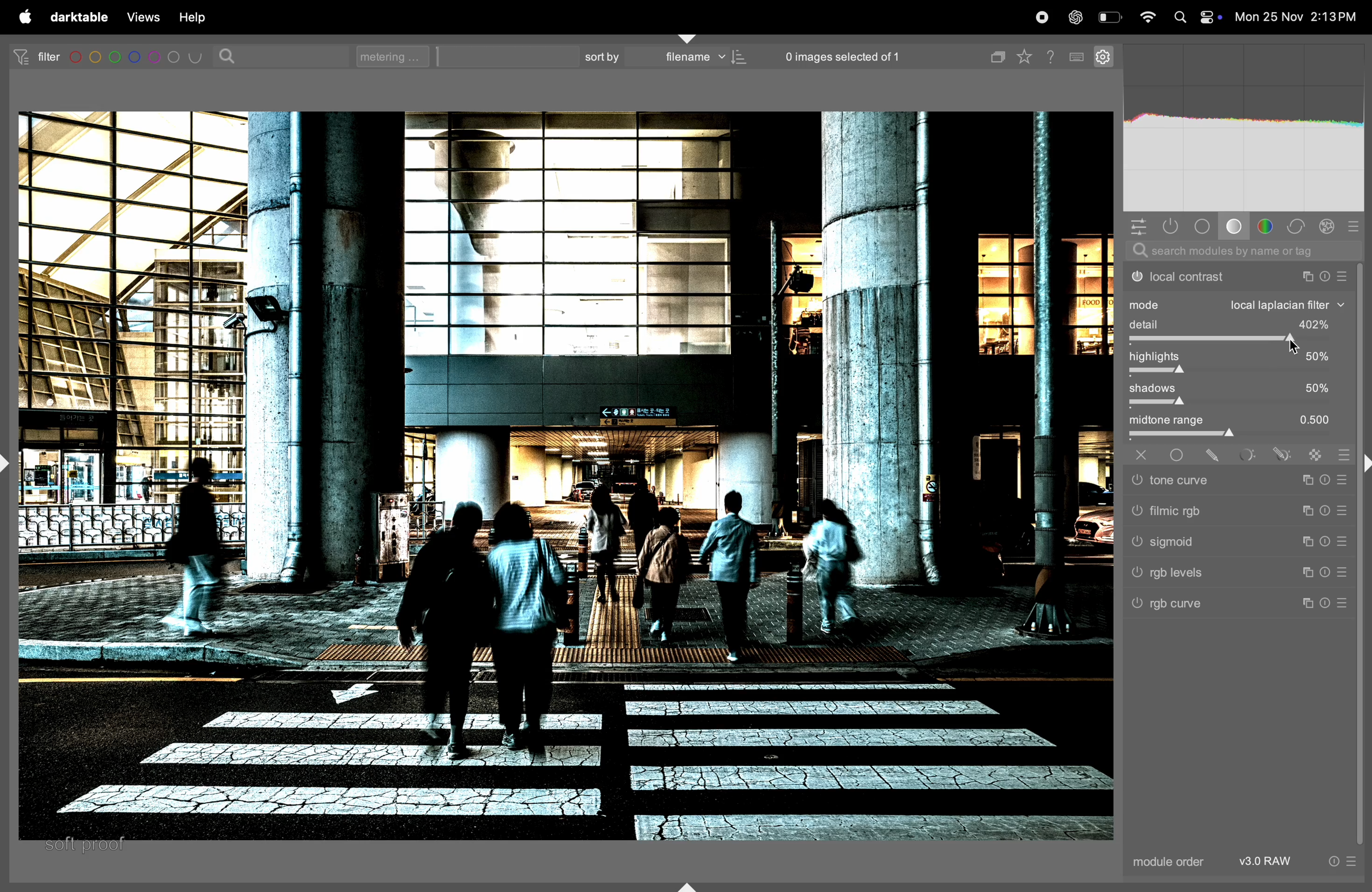  I want to click on settings, so click(1102, 55).